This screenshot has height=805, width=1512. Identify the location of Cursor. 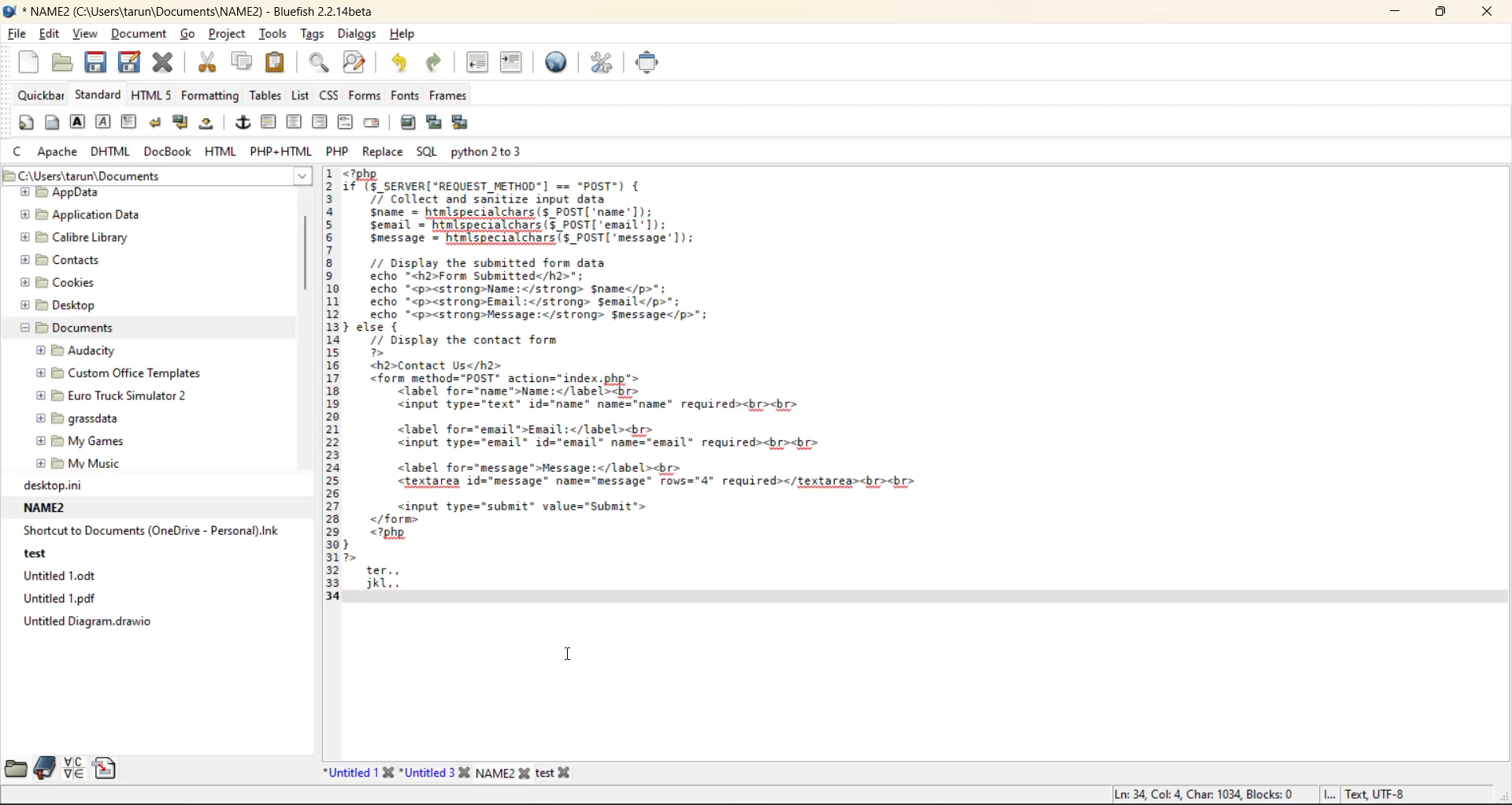
(565, 653).